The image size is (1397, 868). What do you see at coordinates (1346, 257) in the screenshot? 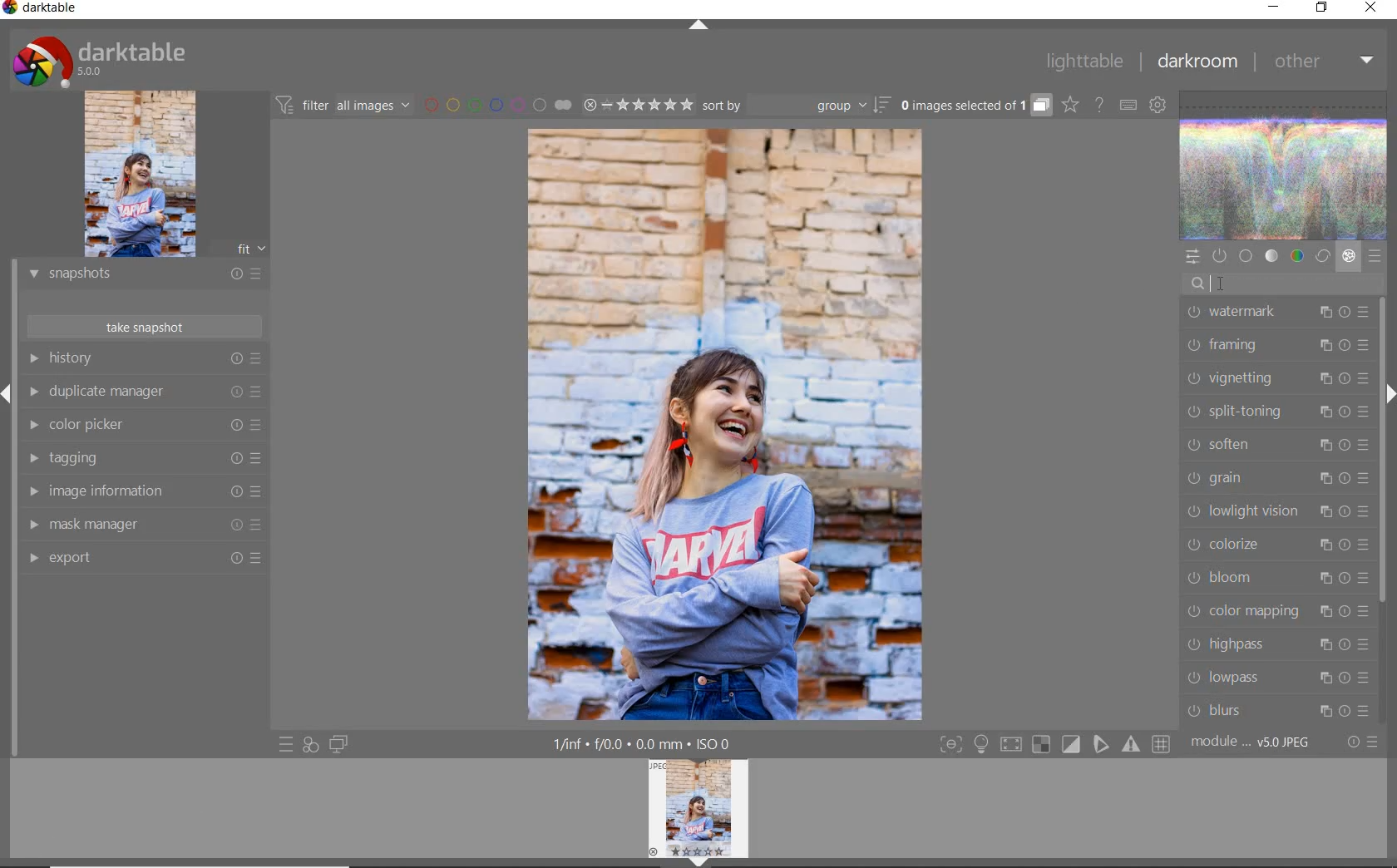
I see `effect` at bounding box center [1346, 257].